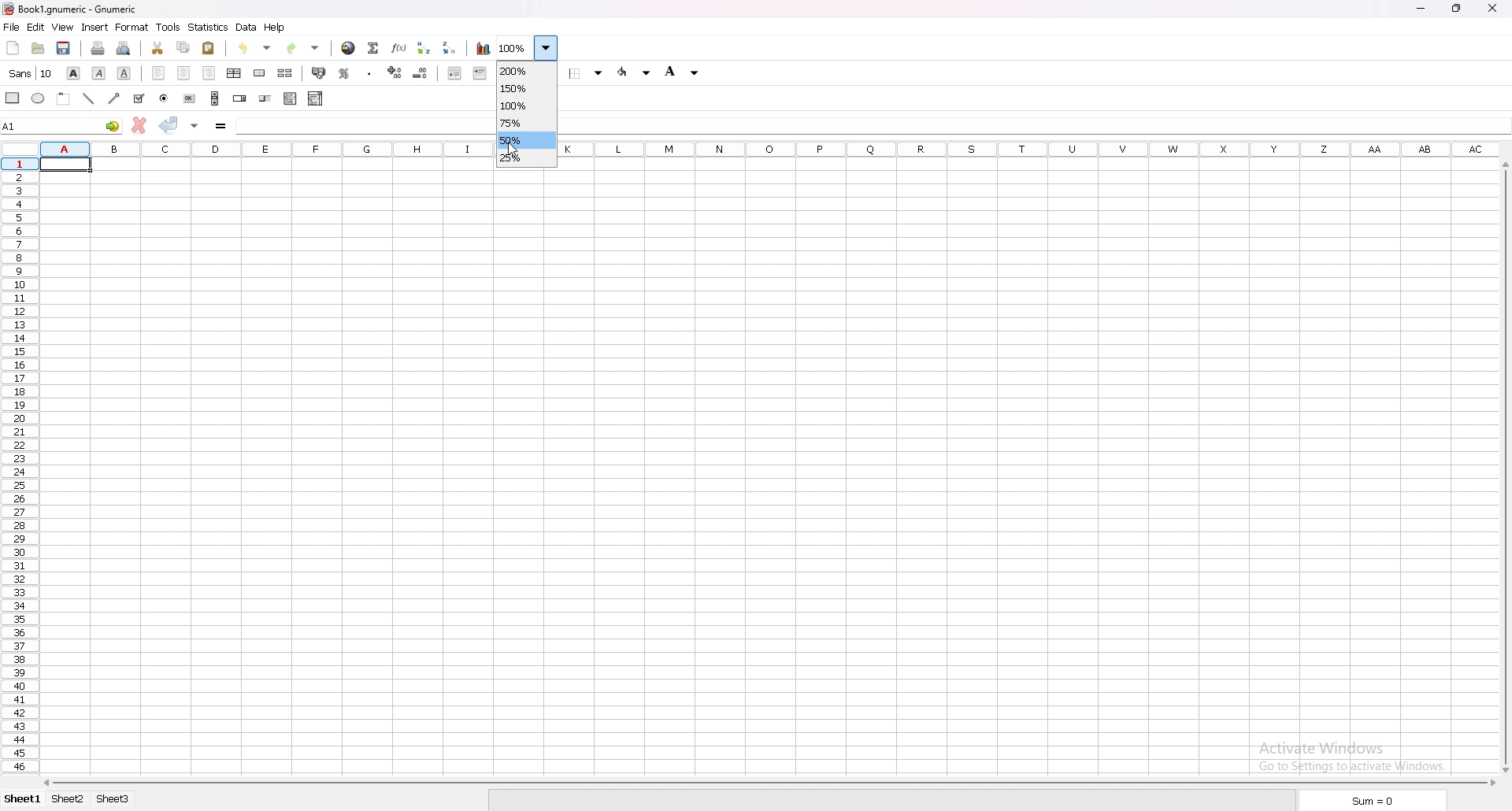 This screenshot has height=811, width=1512. Describe the element at coordinates (369, 72) in the screenshot. I see `thousands separator` at that location.